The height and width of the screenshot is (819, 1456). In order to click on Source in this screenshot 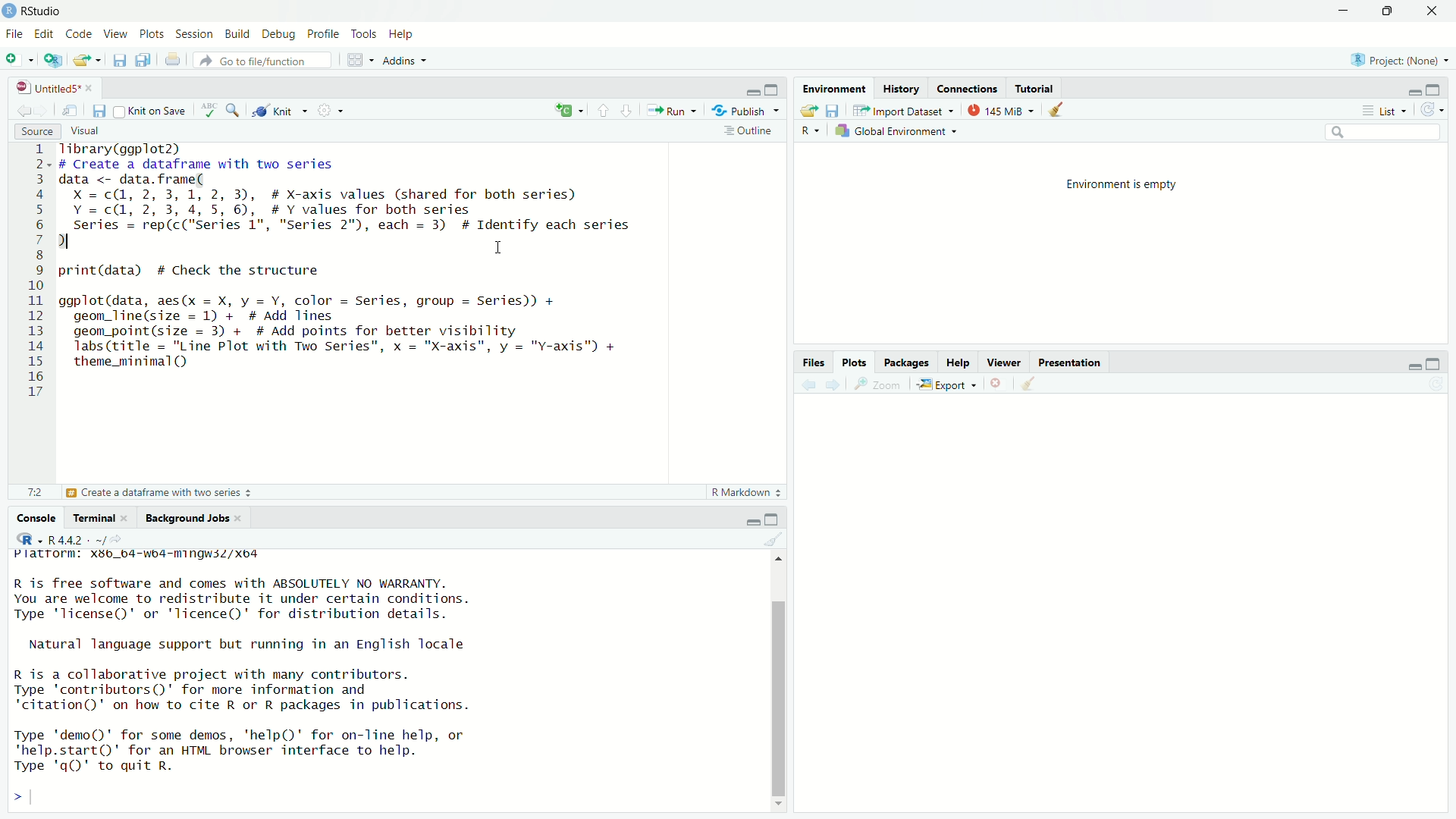, I will do `click(36, 132)`.